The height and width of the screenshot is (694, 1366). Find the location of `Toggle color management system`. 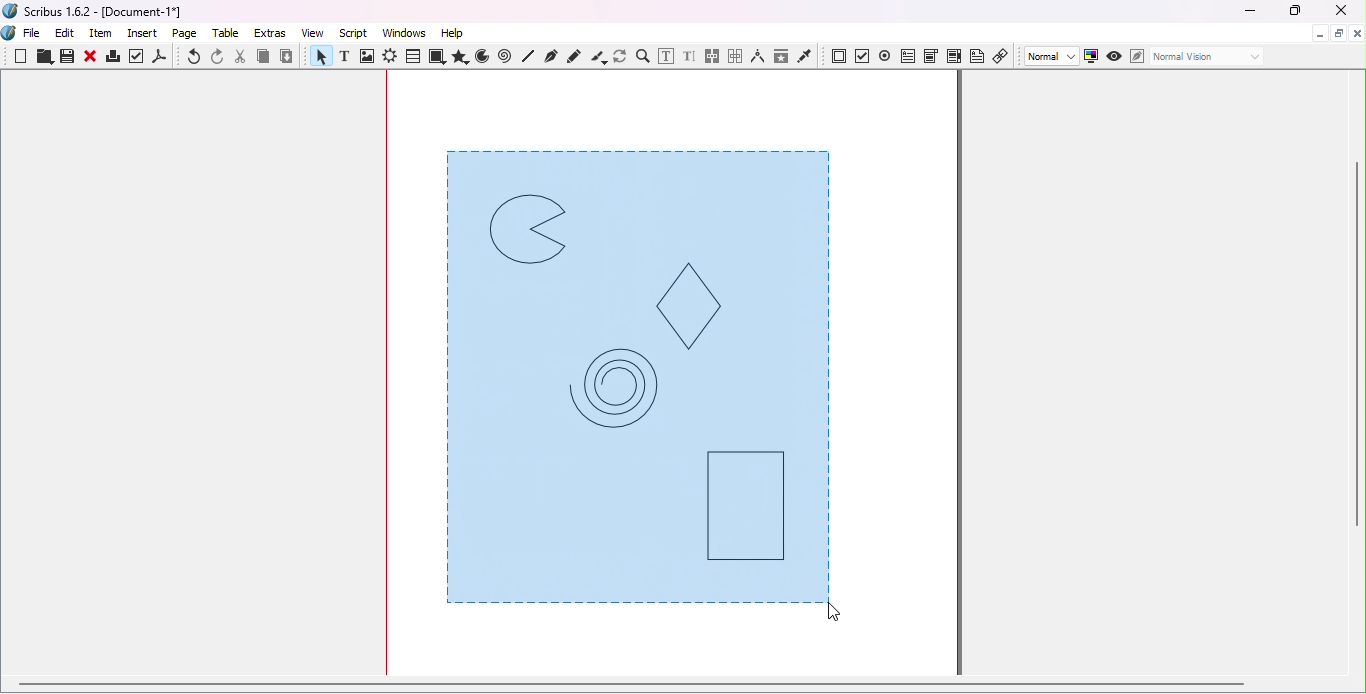

Toggle color management system is located at coordinates (1092, 55).